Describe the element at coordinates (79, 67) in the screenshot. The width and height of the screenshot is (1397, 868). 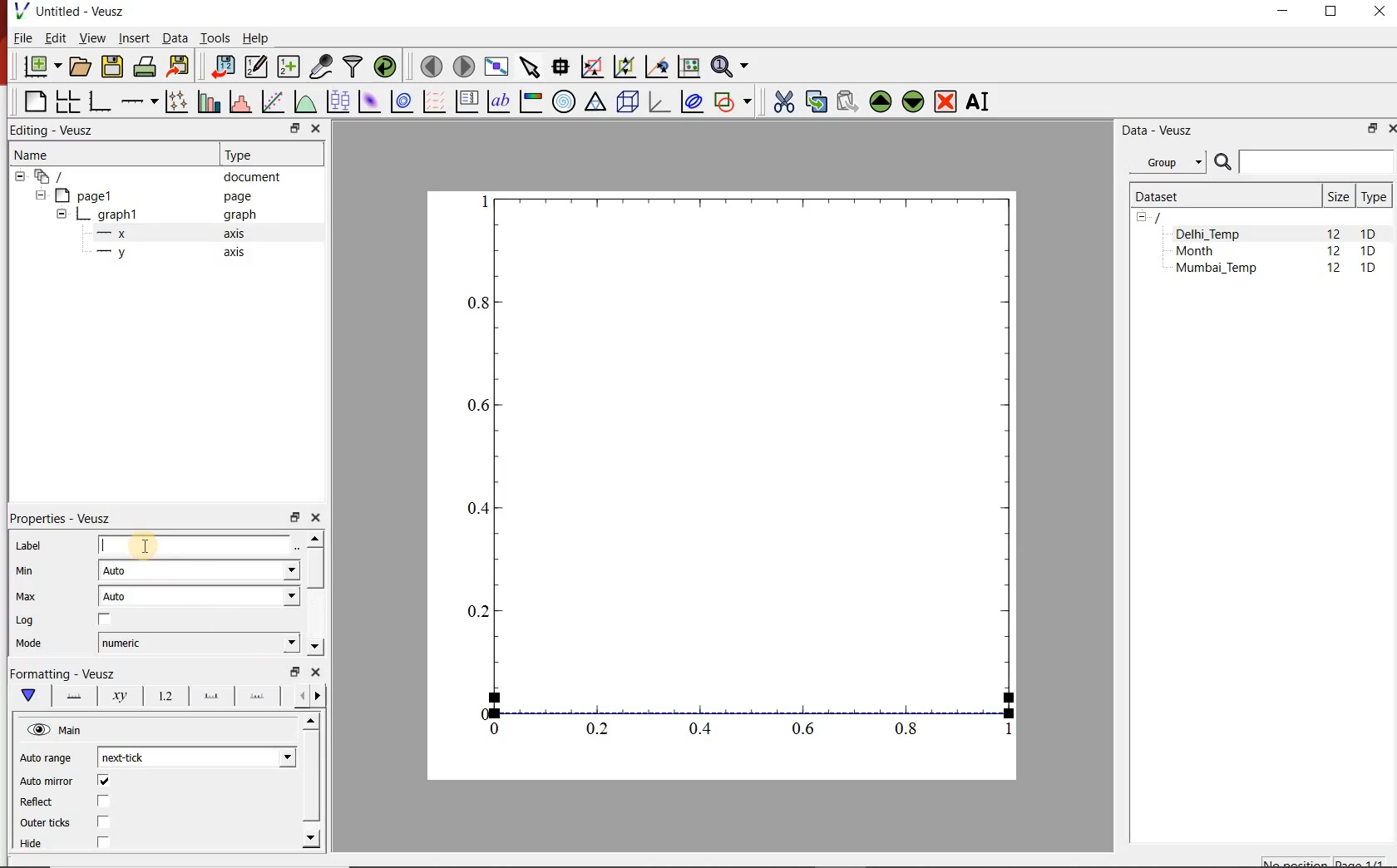
I see `open a document` at that location.